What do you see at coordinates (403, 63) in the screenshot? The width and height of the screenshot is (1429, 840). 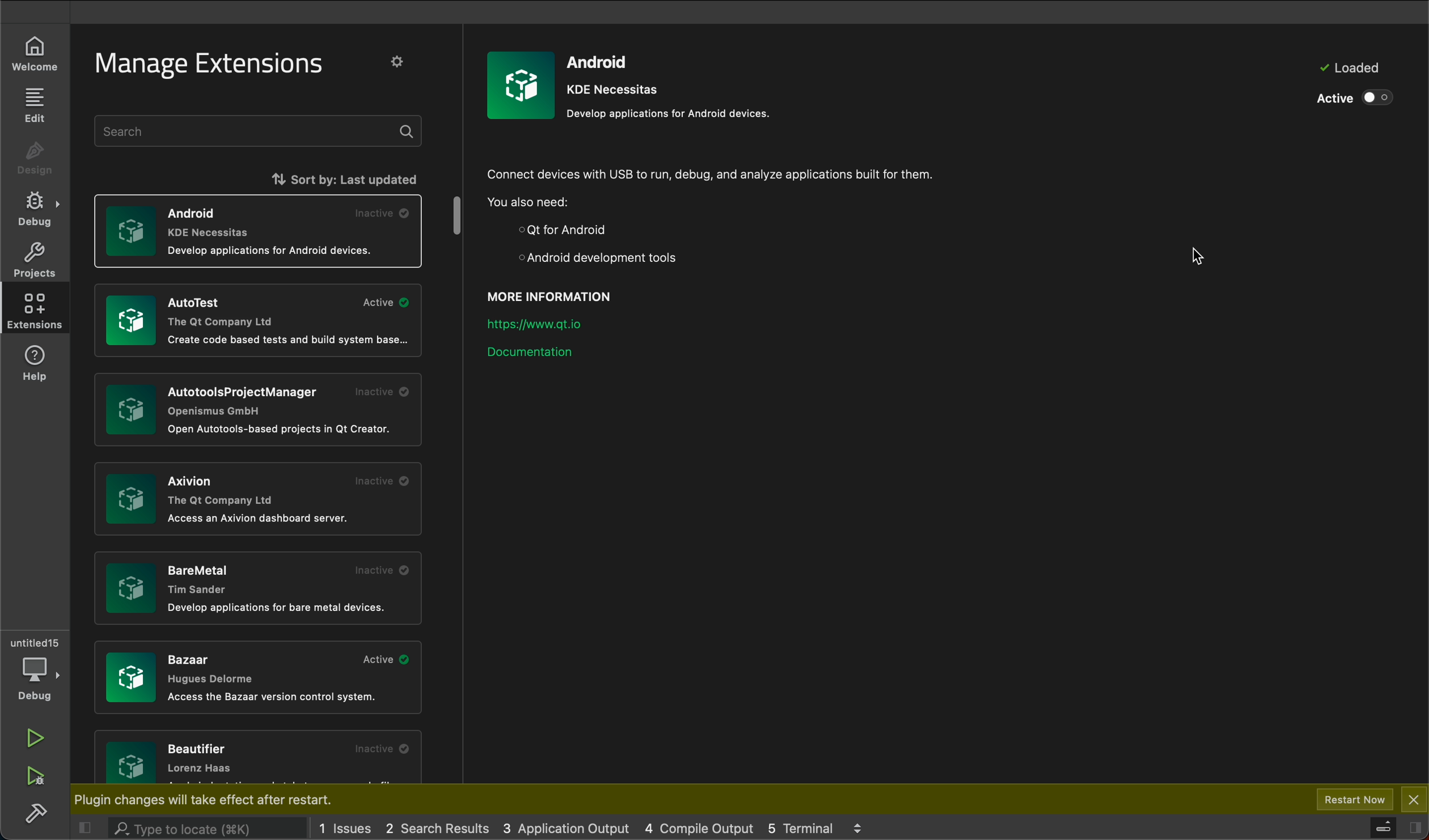 I see `settingd` at bounding box center [403, 63].